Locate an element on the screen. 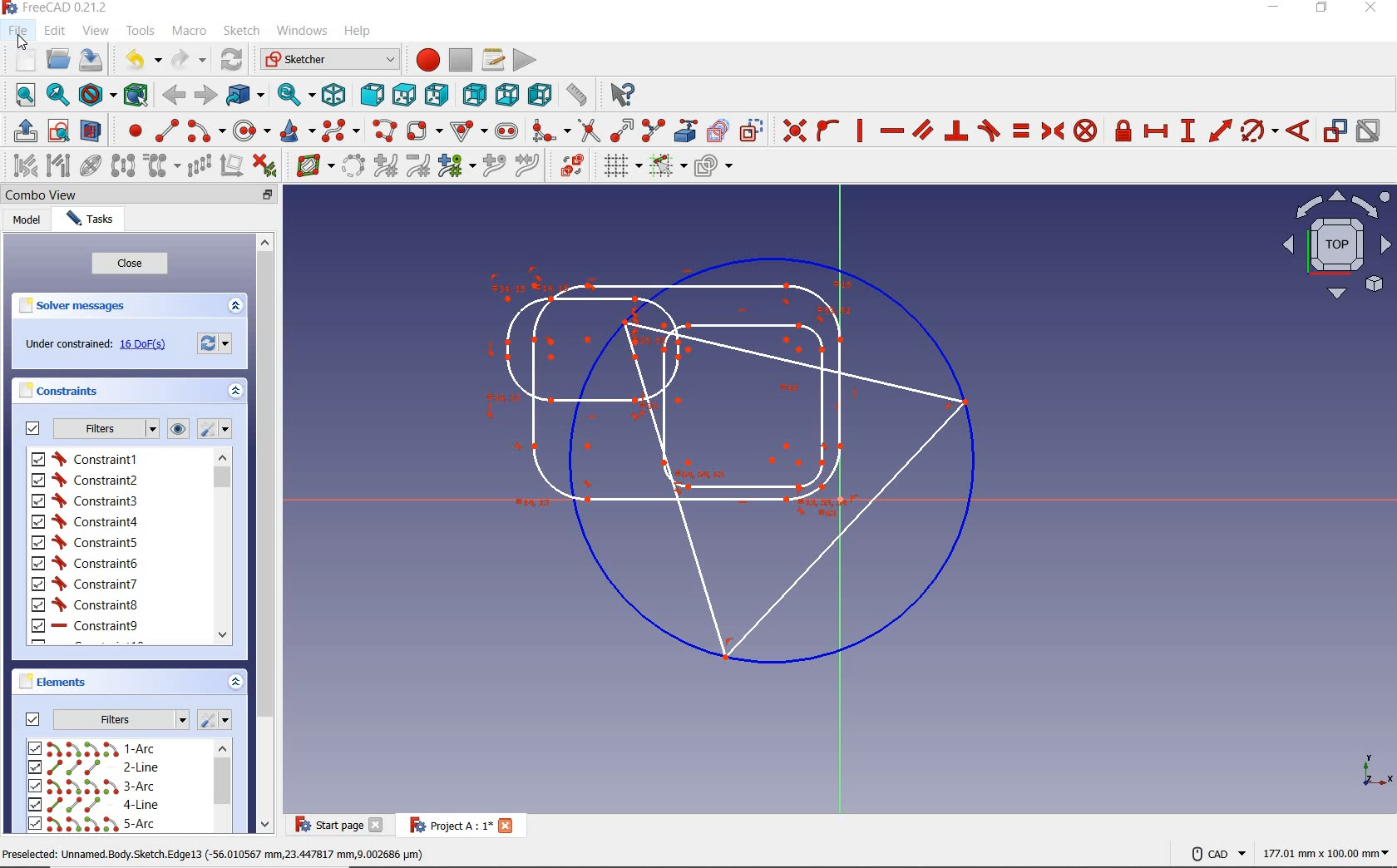  settings is located at coordinates (215, 429).